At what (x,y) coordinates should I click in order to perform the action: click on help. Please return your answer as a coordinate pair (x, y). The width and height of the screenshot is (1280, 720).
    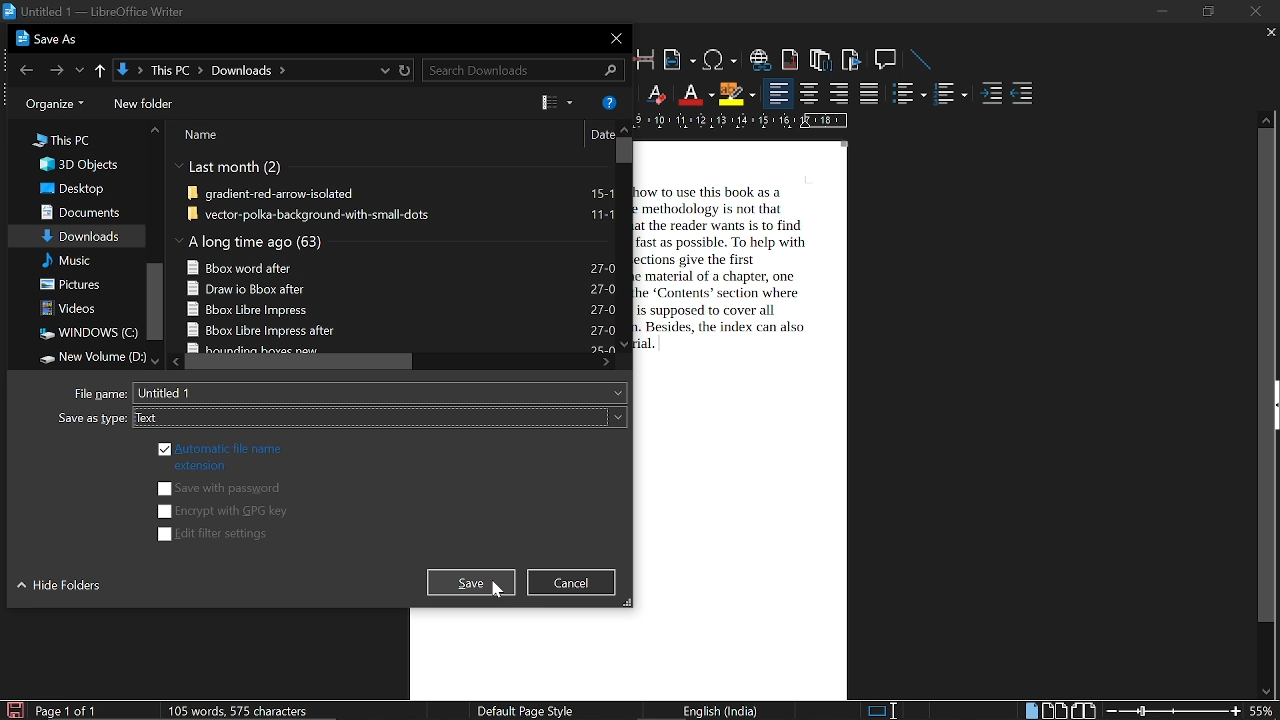
    Looking at the image, I should click on (609, 101).